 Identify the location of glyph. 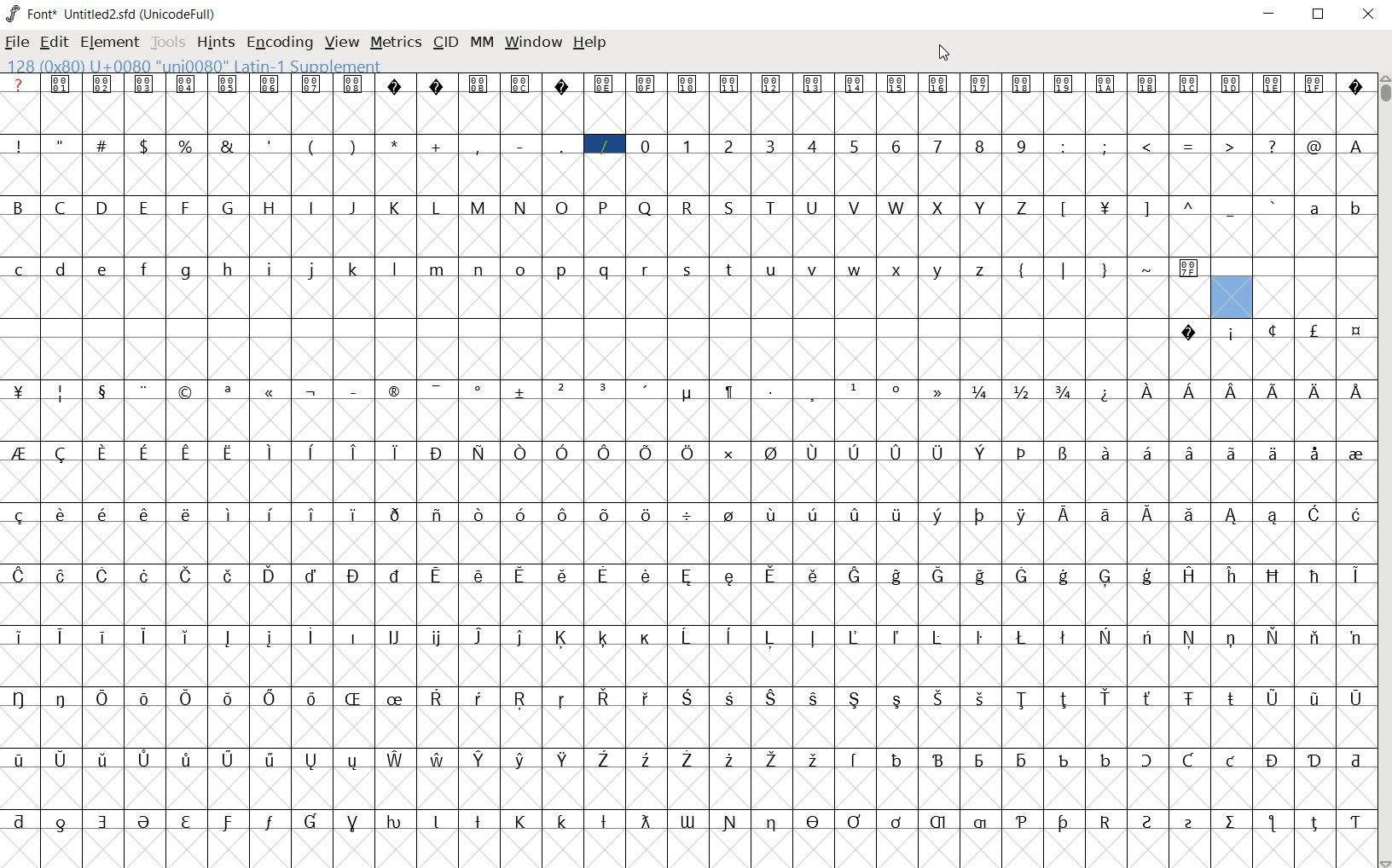
(937, 822).